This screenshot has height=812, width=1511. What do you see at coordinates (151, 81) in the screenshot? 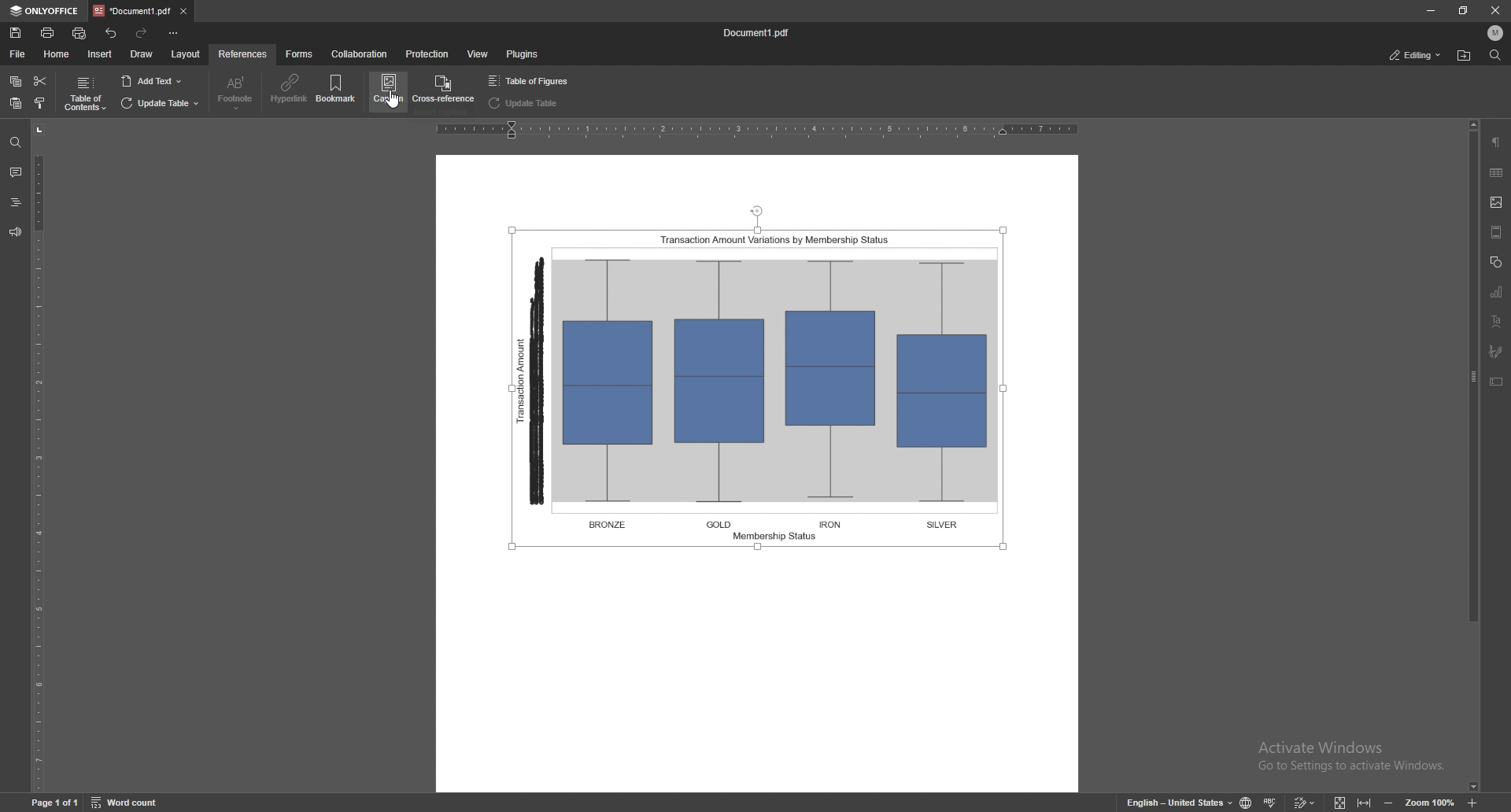
I see `add text` at bounding box center [151, 81].